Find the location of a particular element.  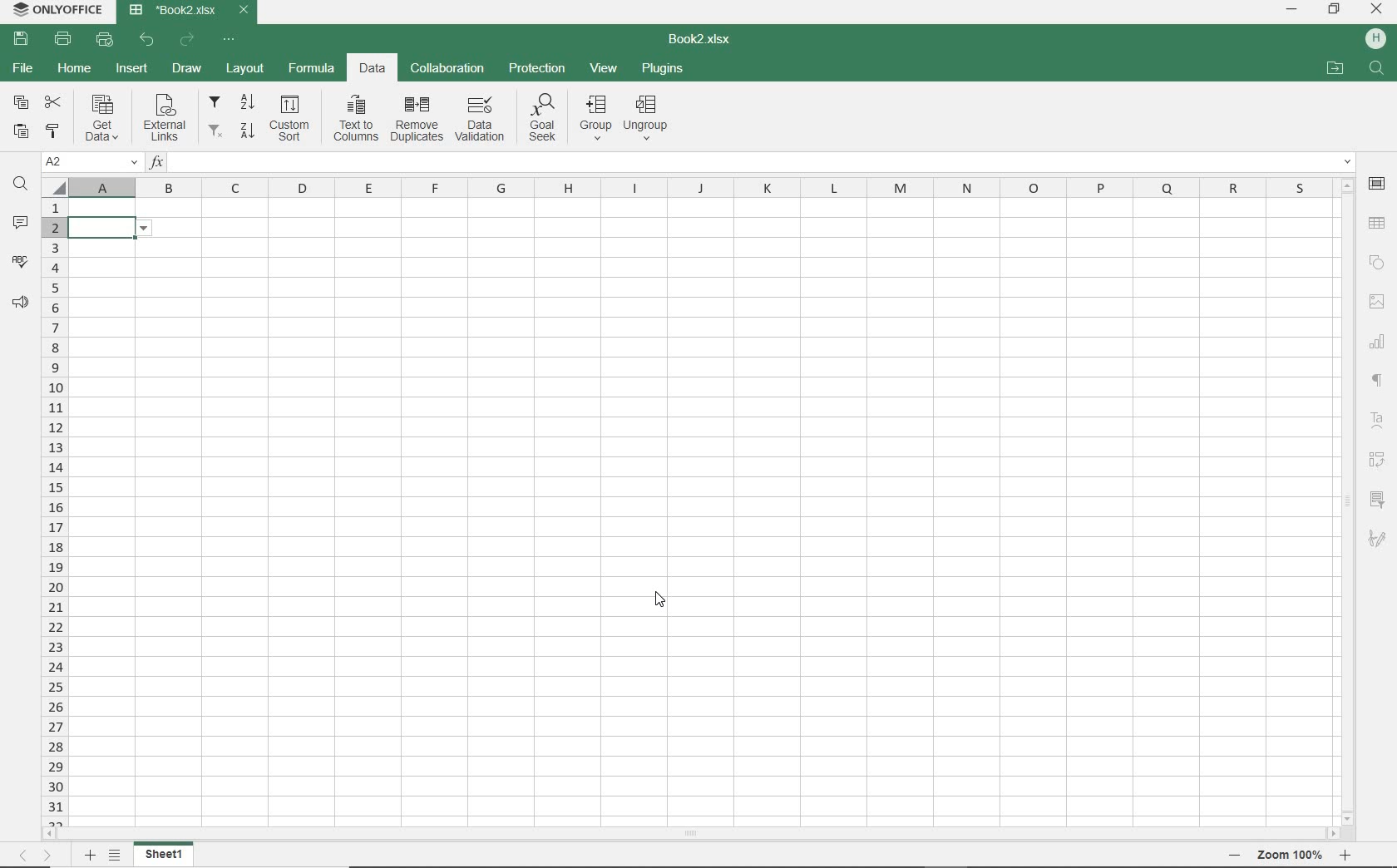

IMAGE is located at coordinates (1377, 301).